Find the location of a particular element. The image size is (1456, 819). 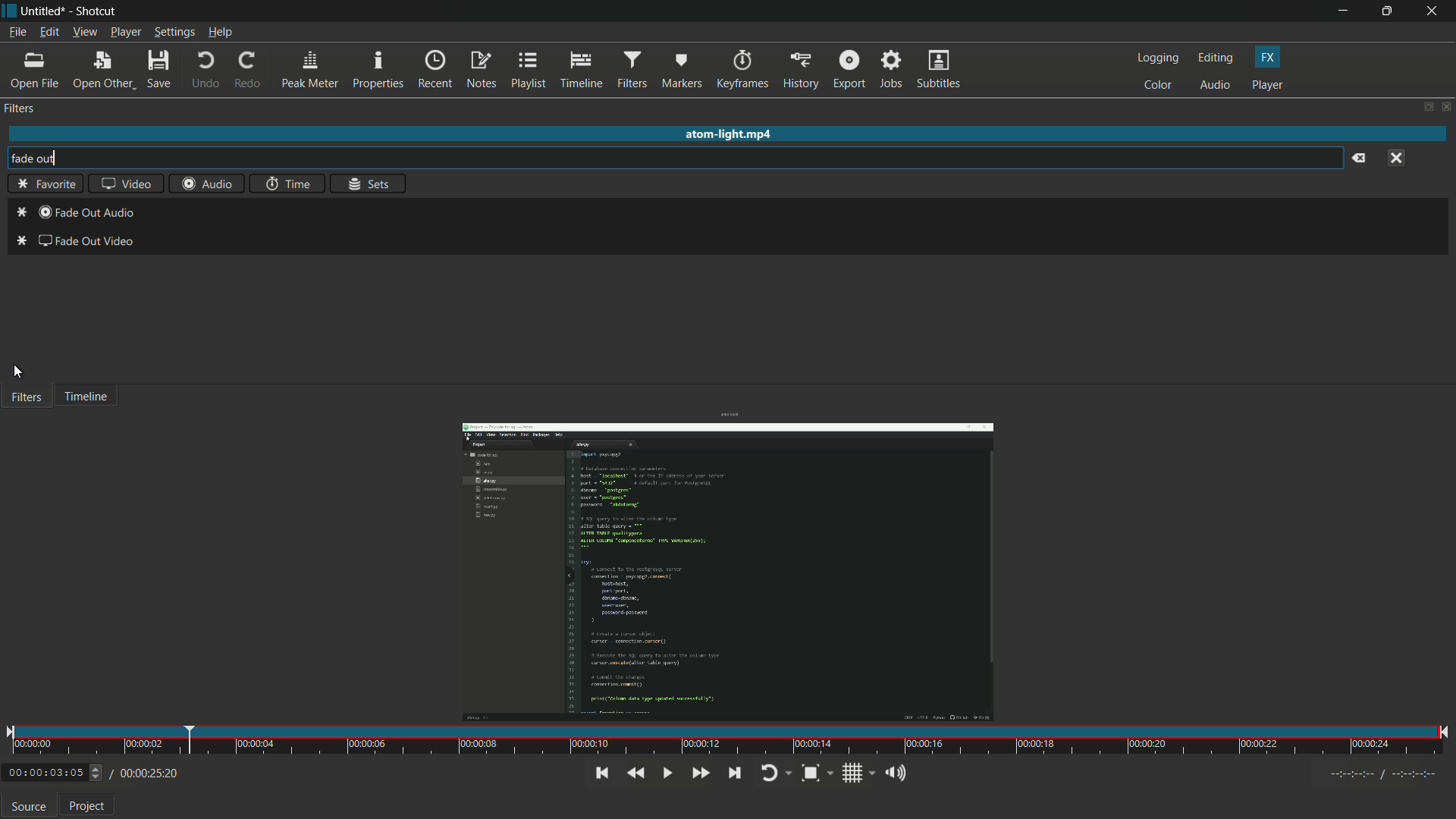

undo is located at coordinates (203, 71).